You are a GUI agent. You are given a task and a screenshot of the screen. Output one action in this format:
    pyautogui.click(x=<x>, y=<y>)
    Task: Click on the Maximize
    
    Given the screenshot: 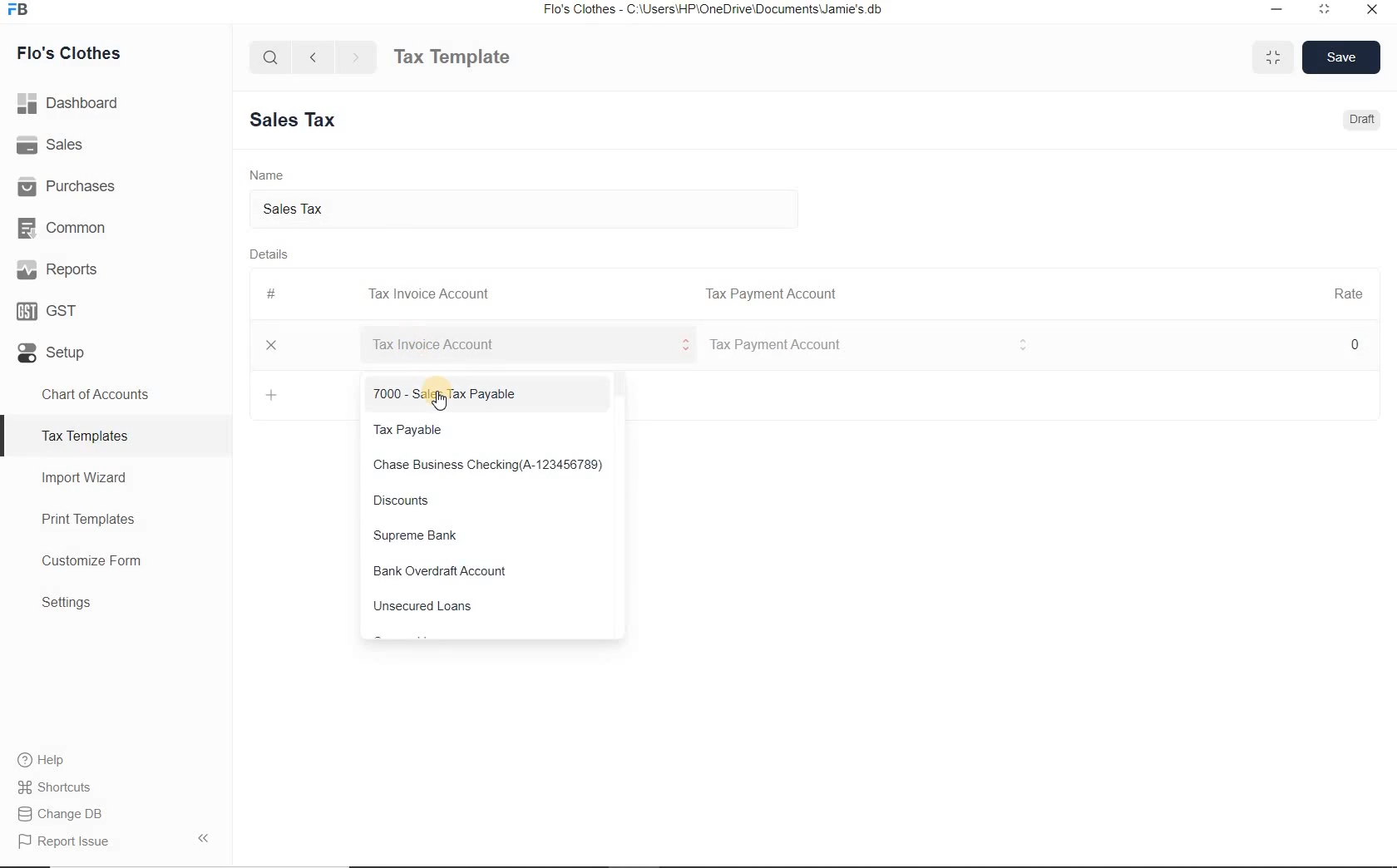 What is the action you would take?
    pyautogui.click(x=1273, y=57)
    